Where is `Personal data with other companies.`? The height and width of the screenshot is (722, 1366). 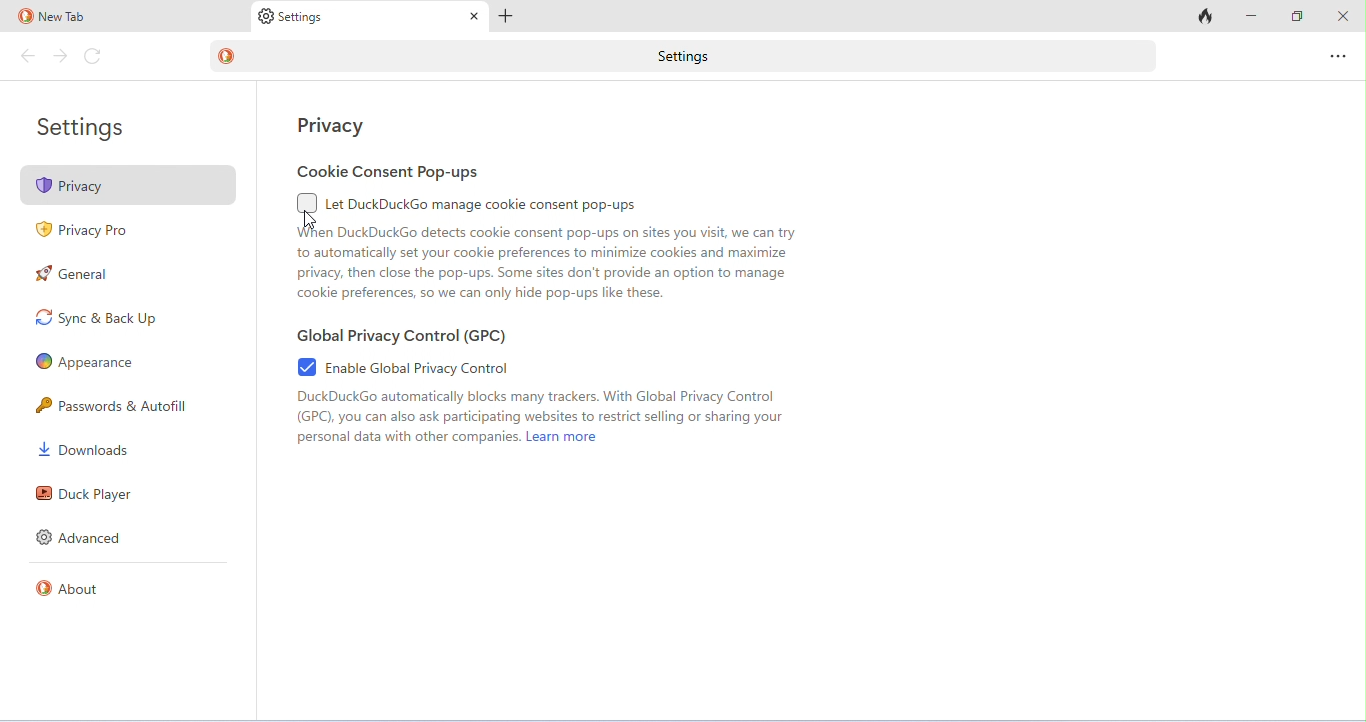 Personal data with other companies. is located at coordinates (408, 437).